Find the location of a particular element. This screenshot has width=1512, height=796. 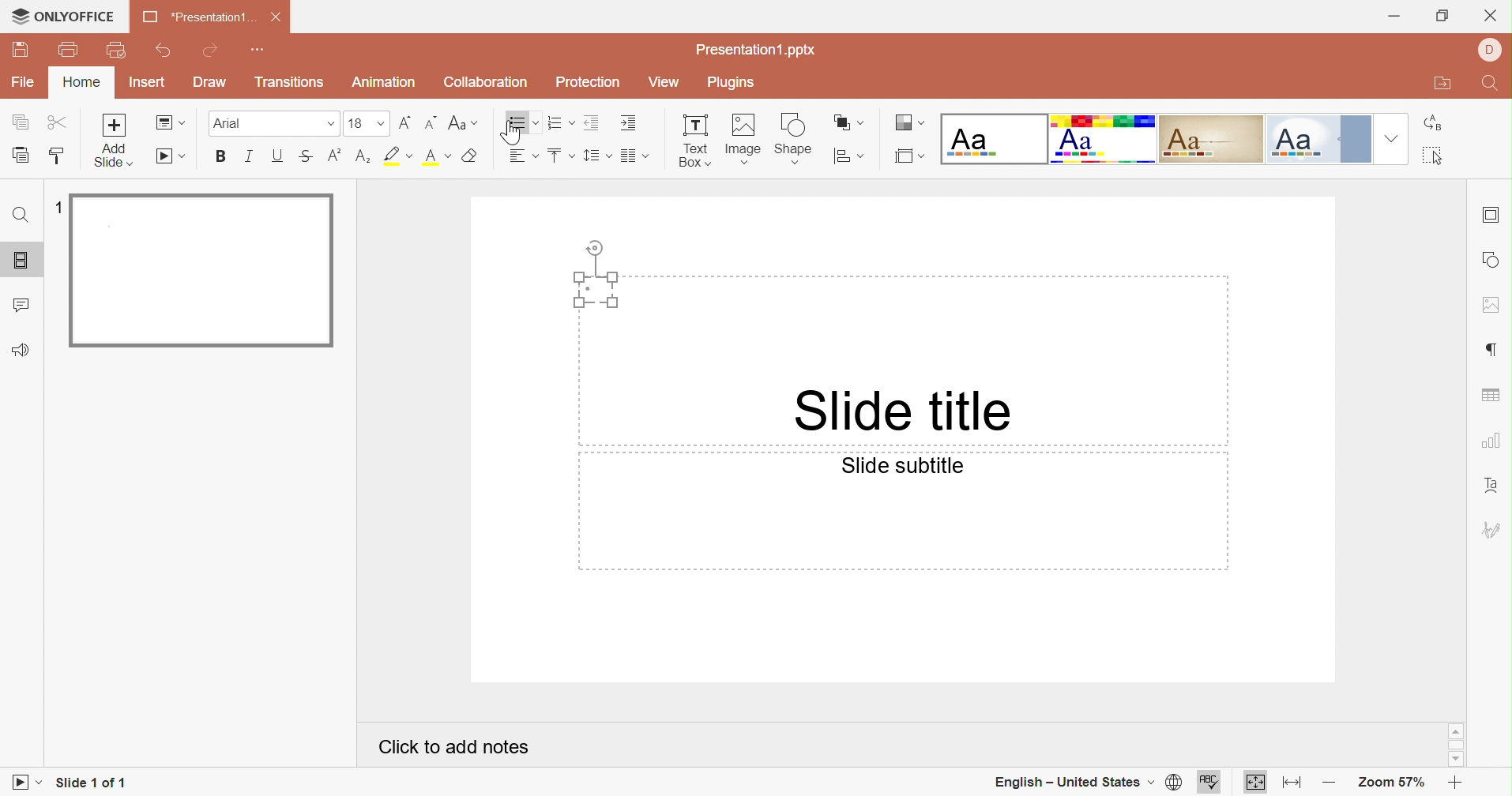

Redo is located at coordinates (210, 52).